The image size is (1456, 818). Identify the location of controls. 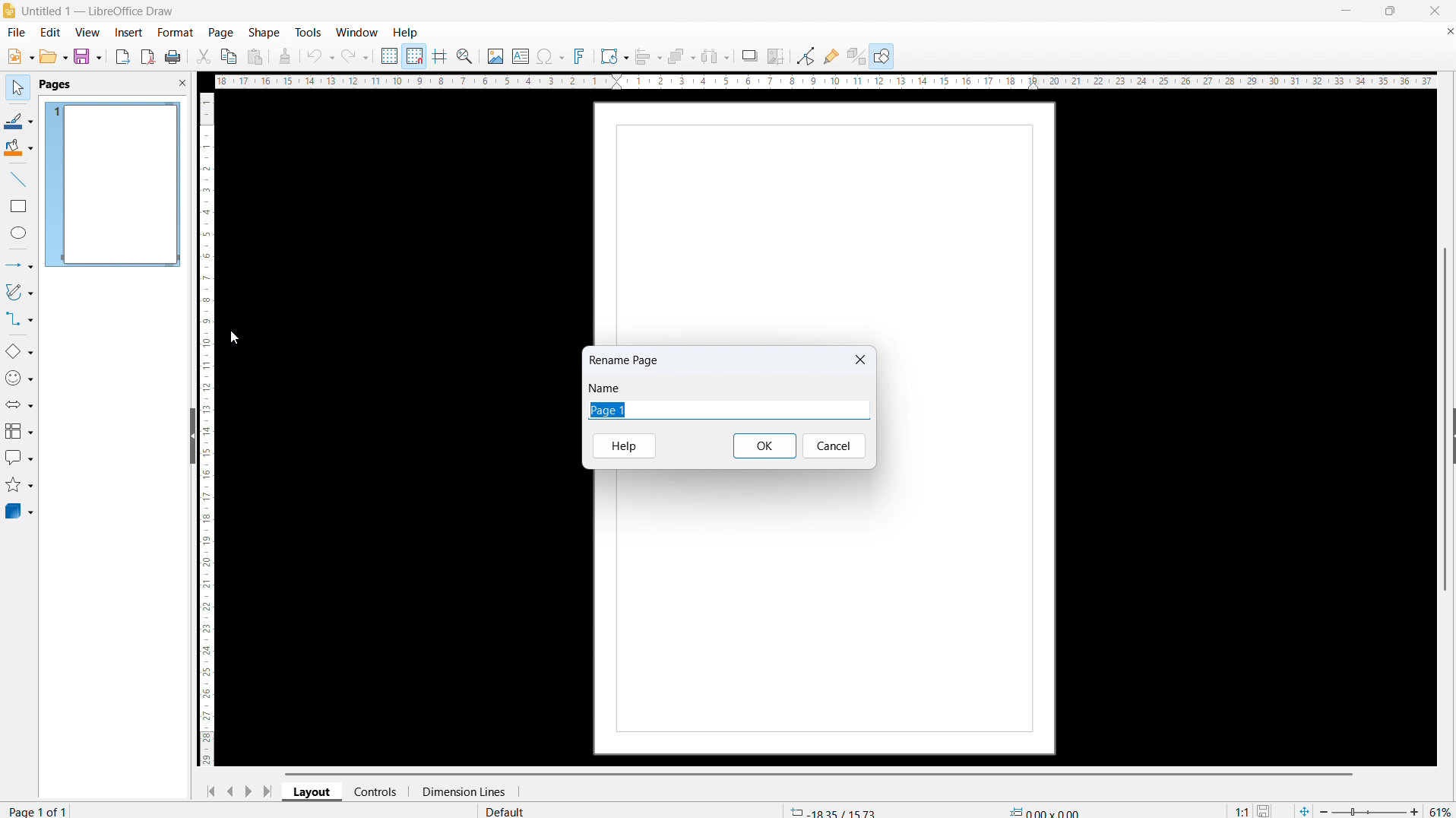
(376, 791).